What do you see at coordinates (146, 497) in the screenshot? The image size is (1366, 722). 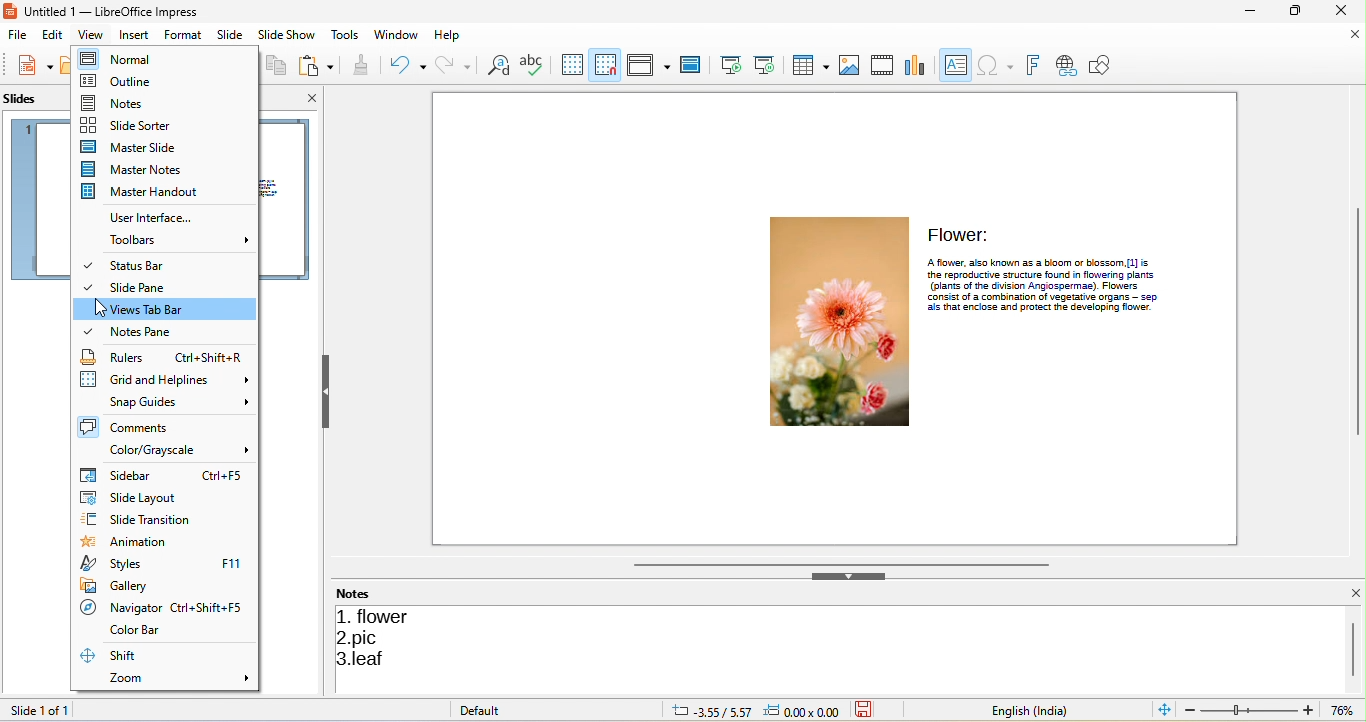 I see `slide layout` at bounding box center [146, 497].